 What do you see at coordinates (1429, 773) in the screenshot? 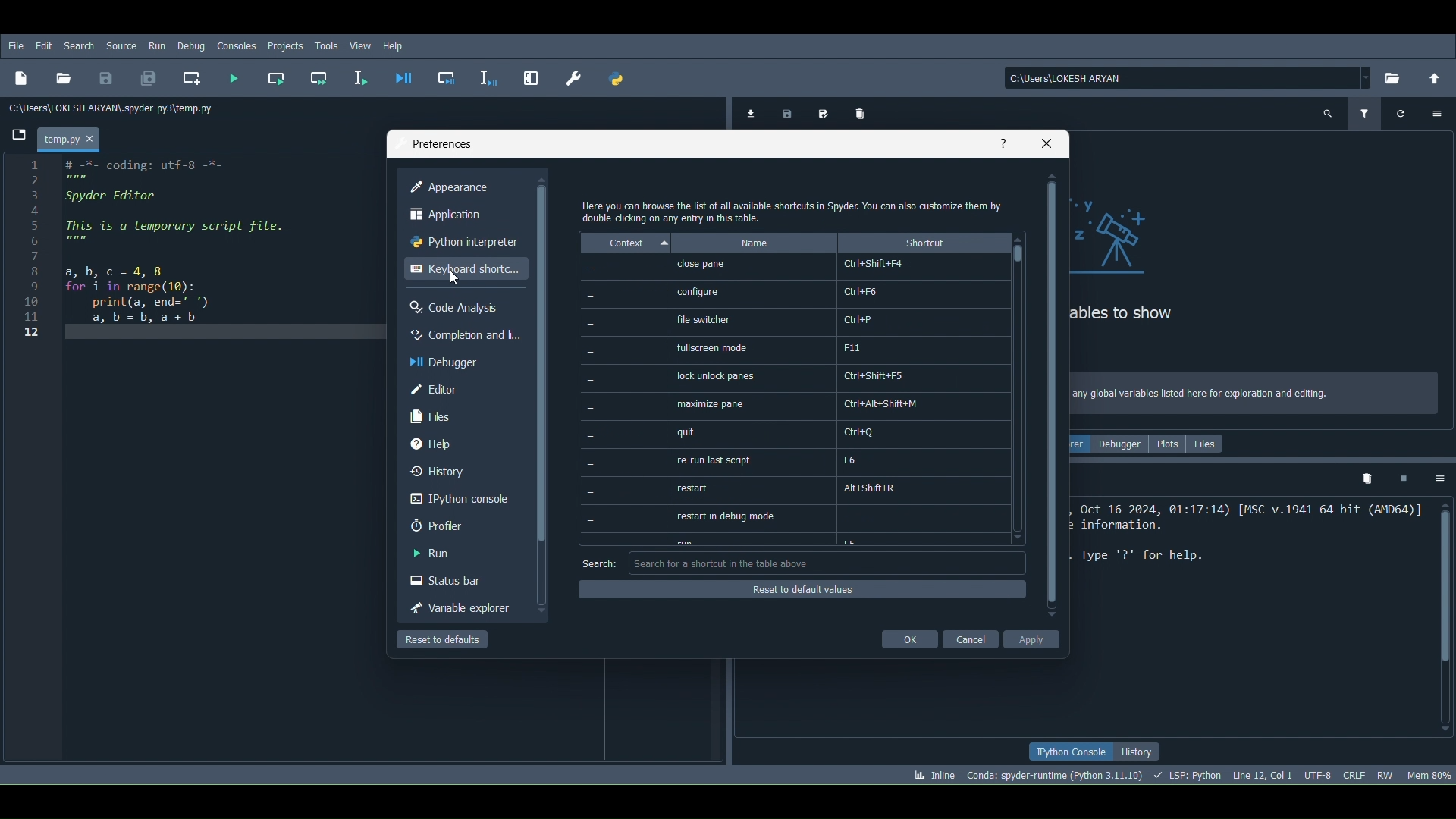
I see `Global memory usage` at bounding box center [1429, 773].